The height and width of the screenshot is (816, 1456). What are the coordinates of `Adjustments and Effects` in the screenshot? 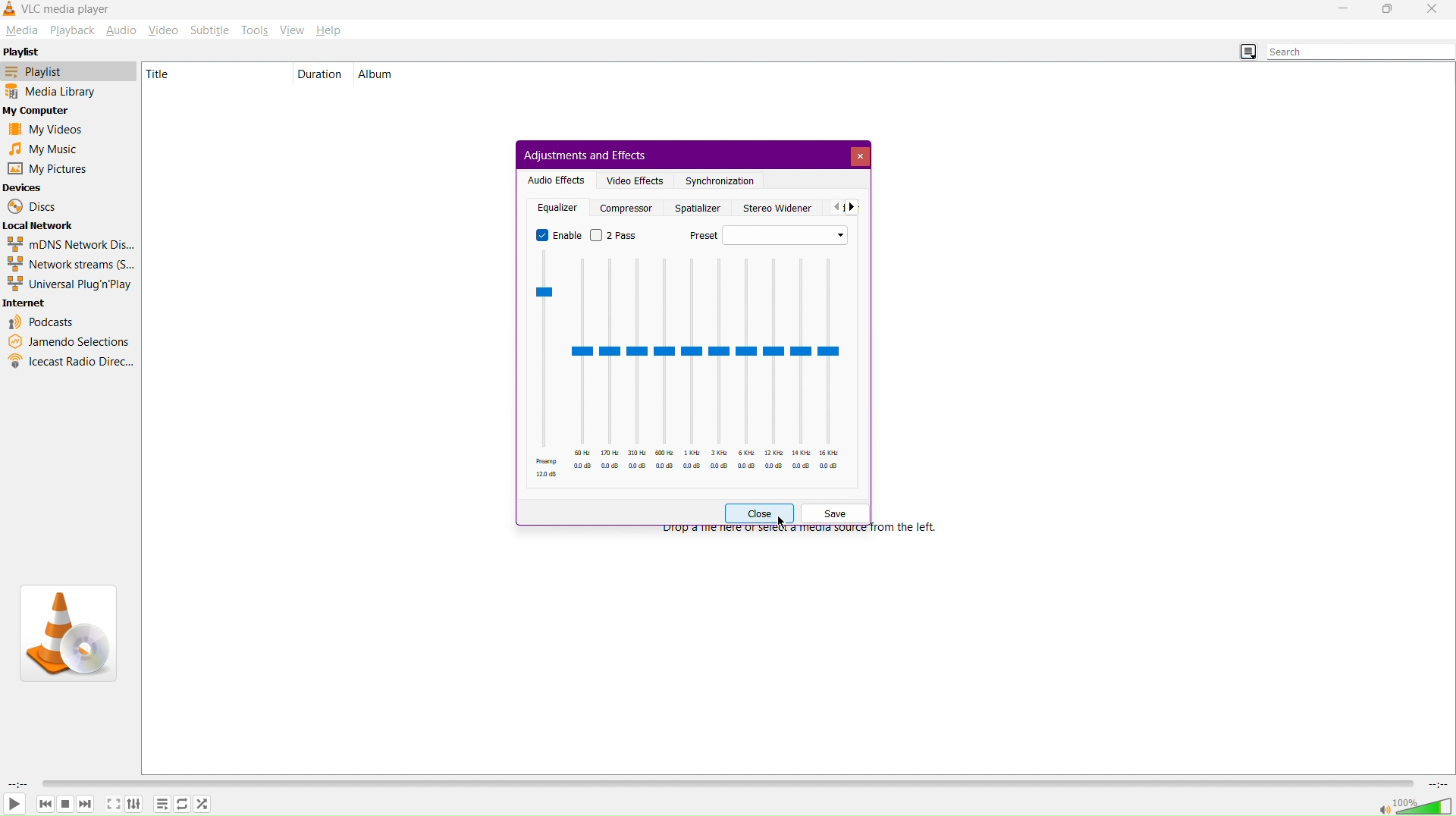 It's located at (591, 155).